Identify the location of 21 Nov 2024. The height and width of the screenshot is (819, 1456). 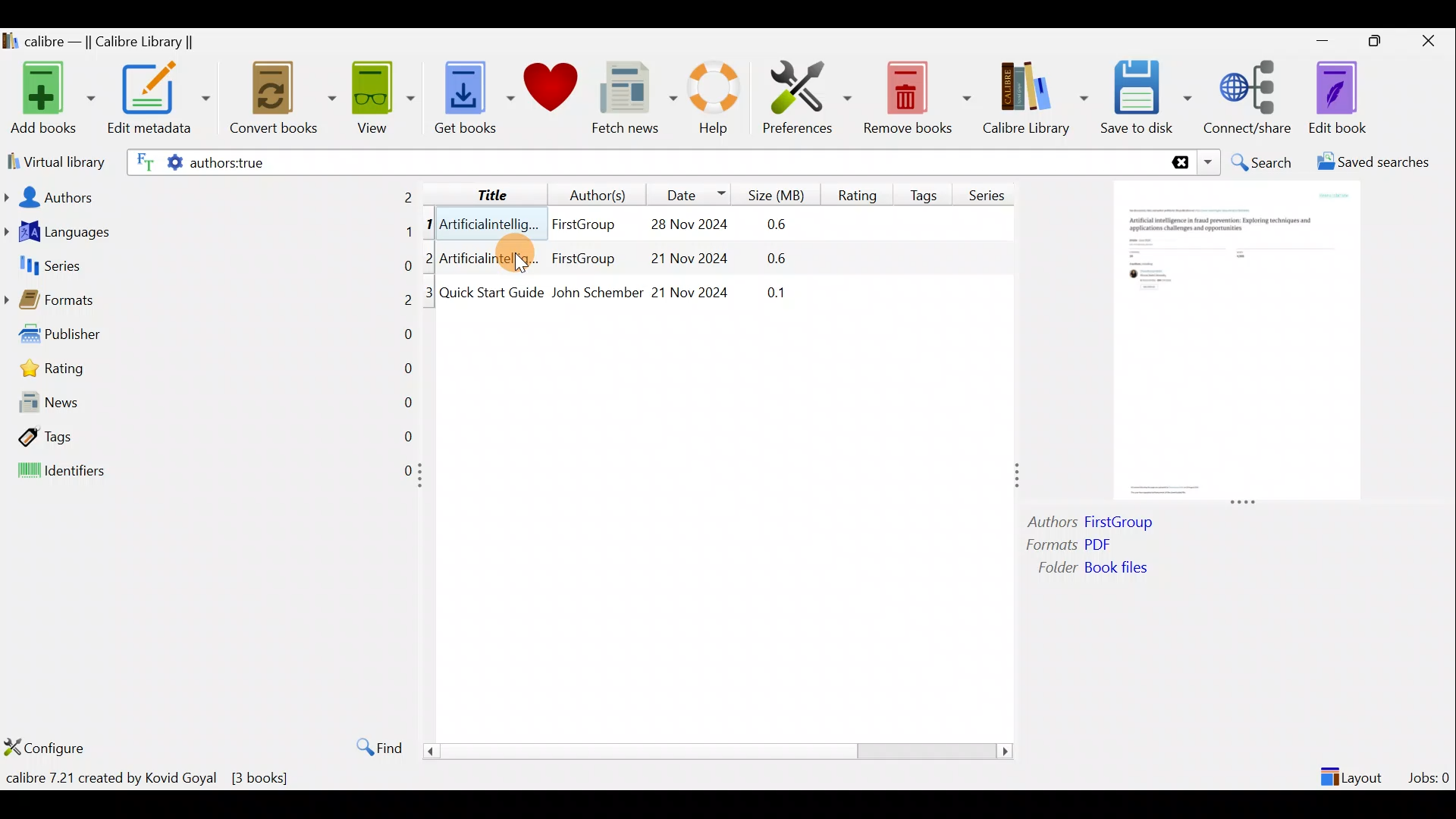
(678, 260).